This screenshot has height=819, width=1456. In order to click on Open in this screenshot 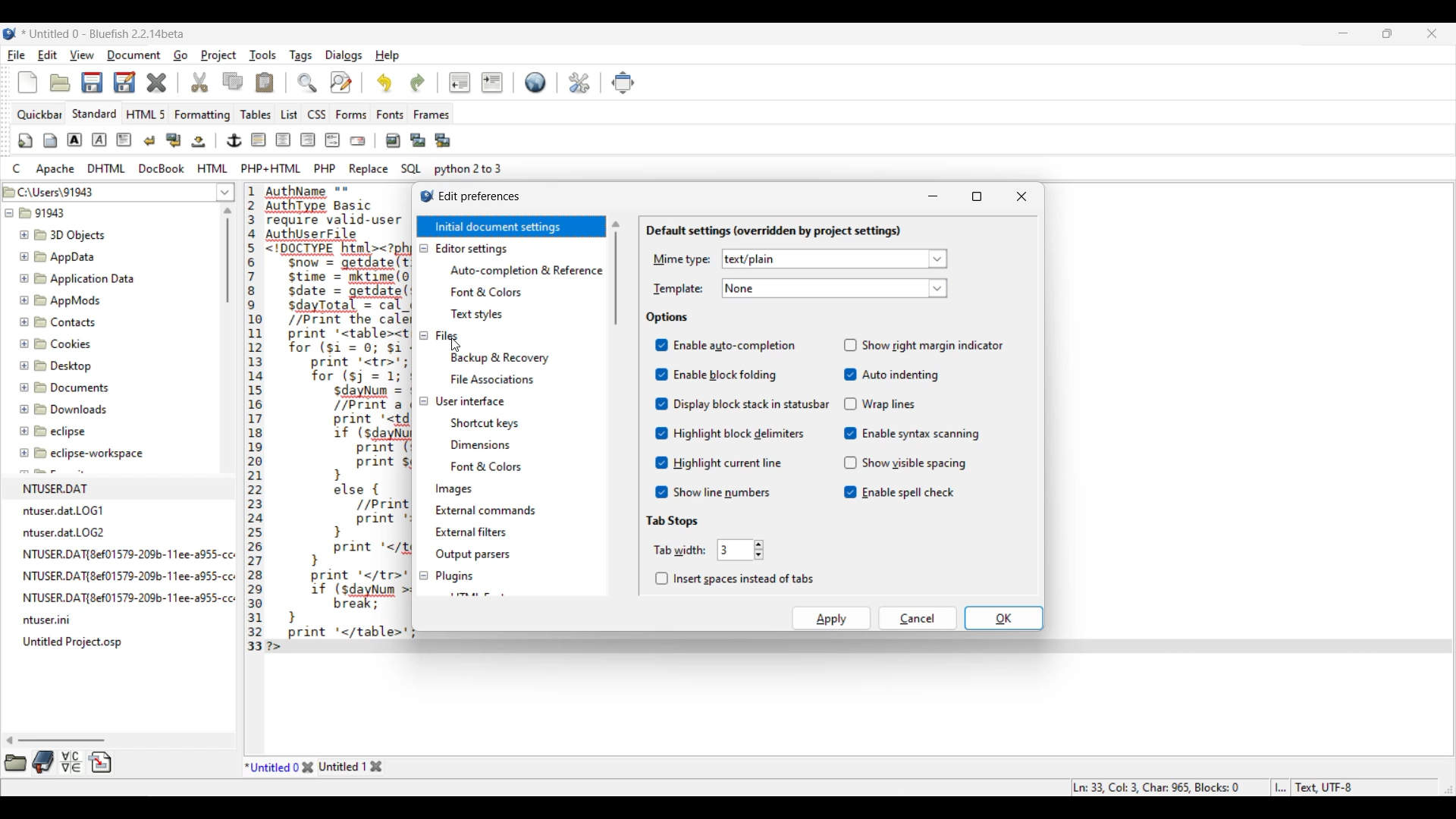, I will do `click(60, 83)`.